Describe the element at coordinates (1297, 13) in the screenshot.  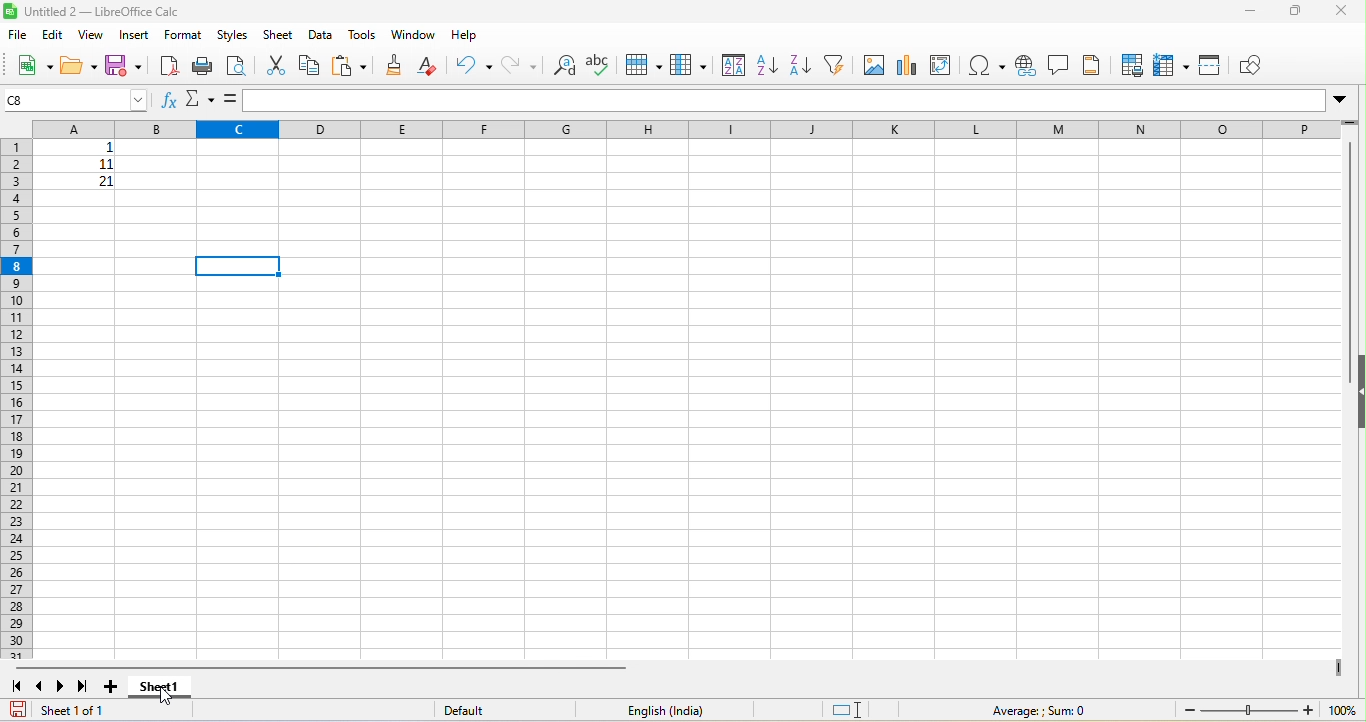
I see `maximize` at that location.